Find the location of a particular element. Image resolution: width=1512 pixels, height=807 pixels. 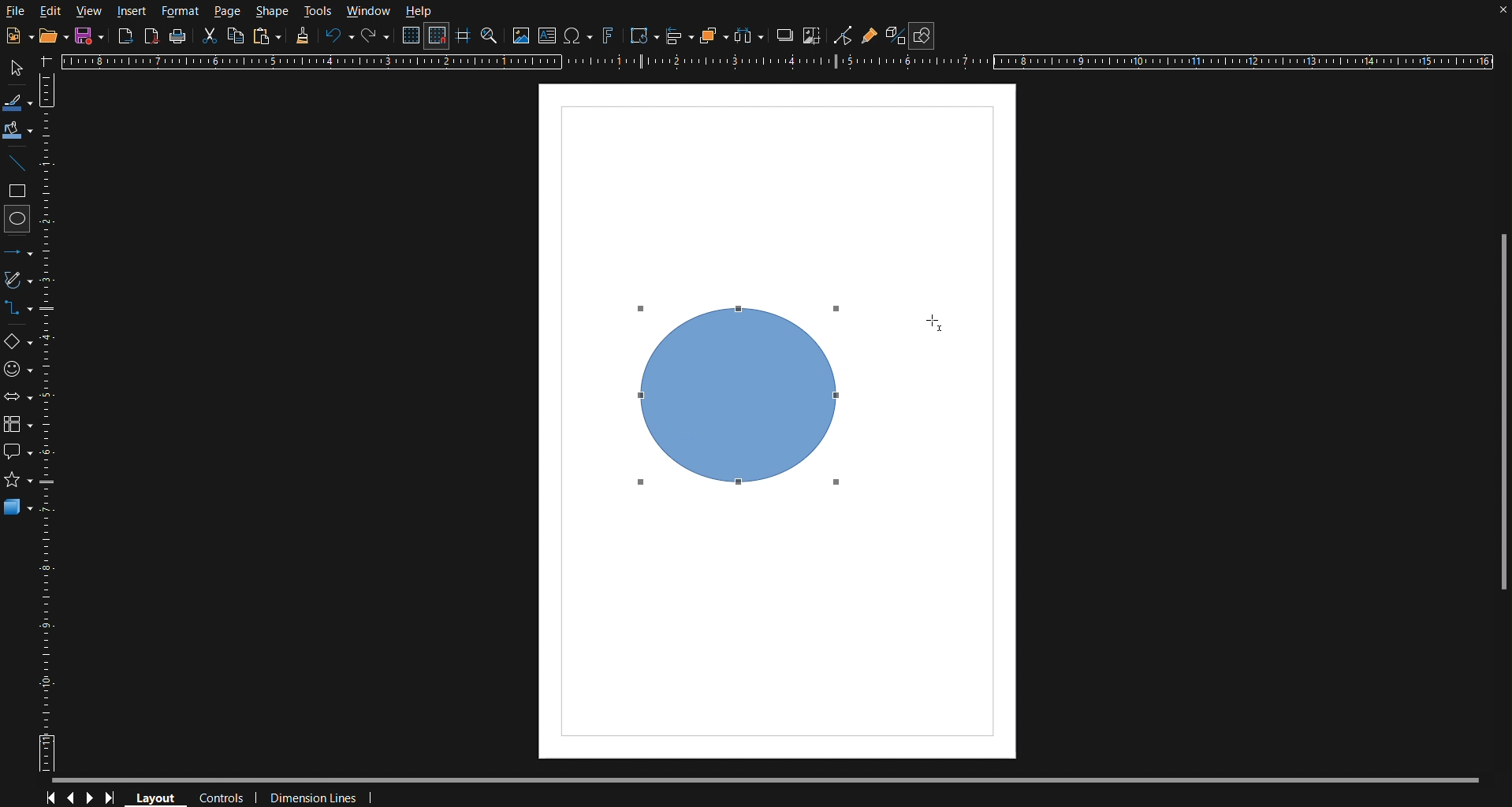

Line Color is located at coordinates (20, 101).